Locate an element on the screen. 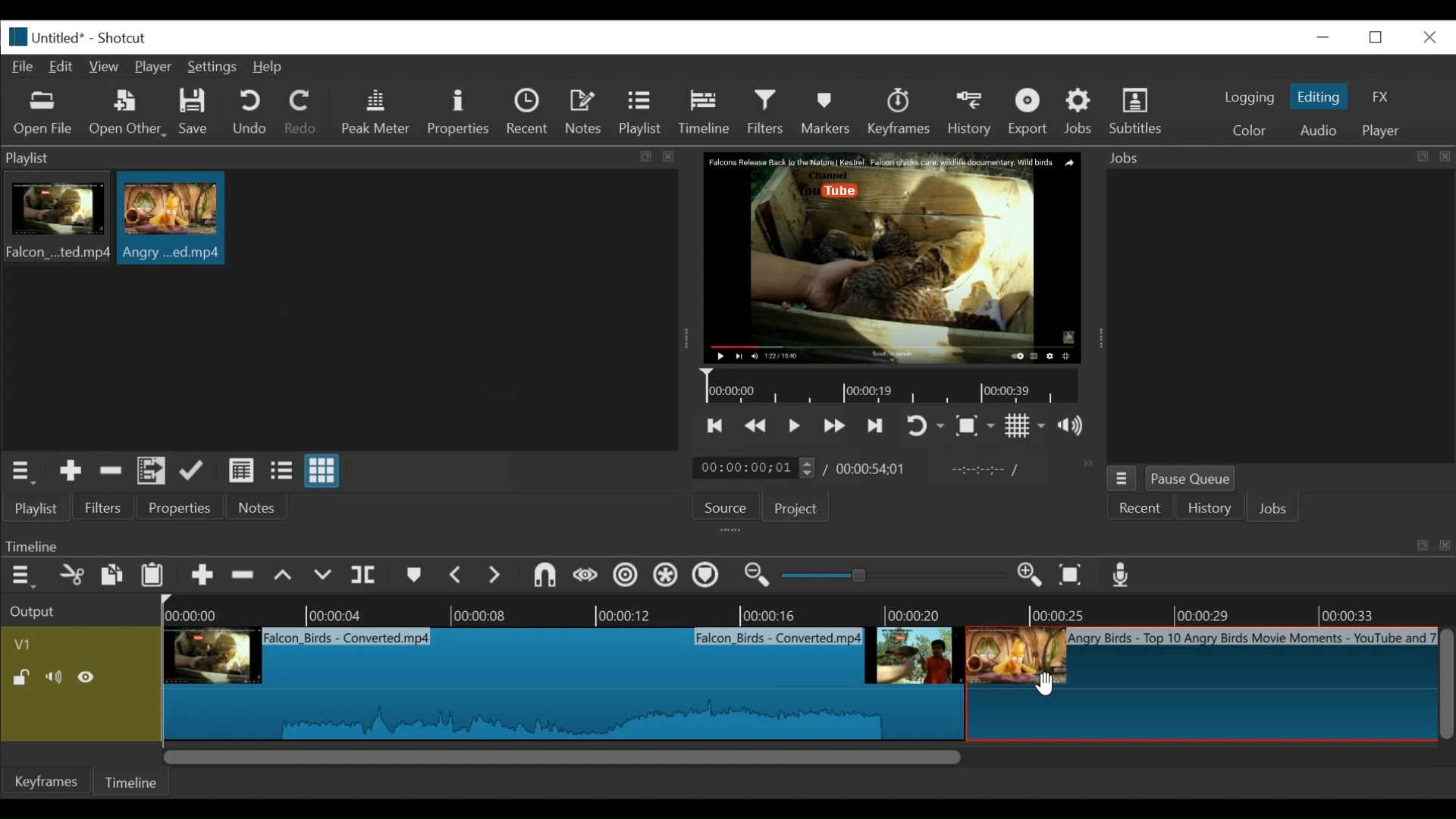 Image resolution: width=1456 pixels, height=819 pixels. File name is located at coordinates (61, 39).